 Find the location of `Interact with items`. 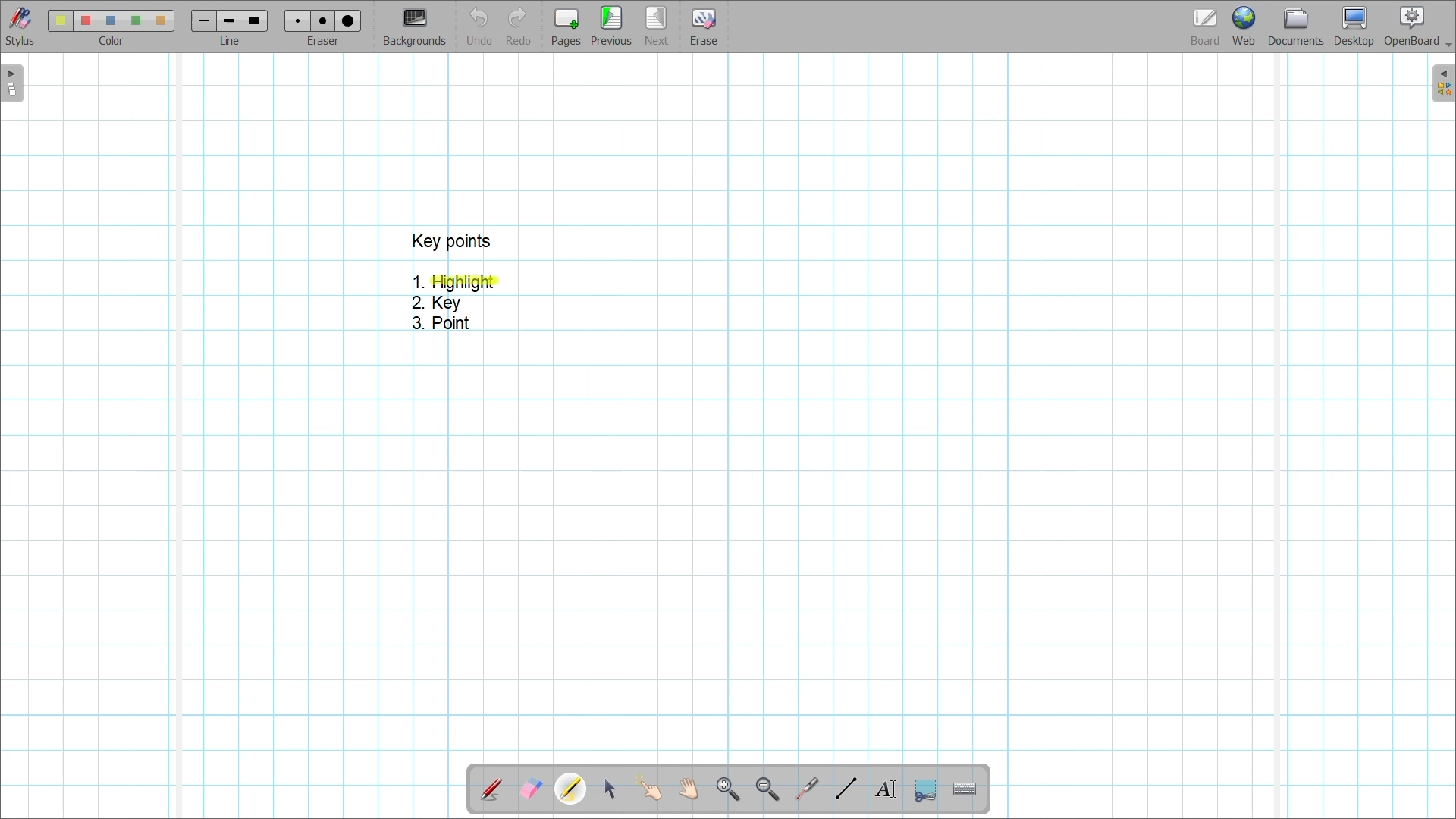

Interact with items is located at coordinates (648, 788).